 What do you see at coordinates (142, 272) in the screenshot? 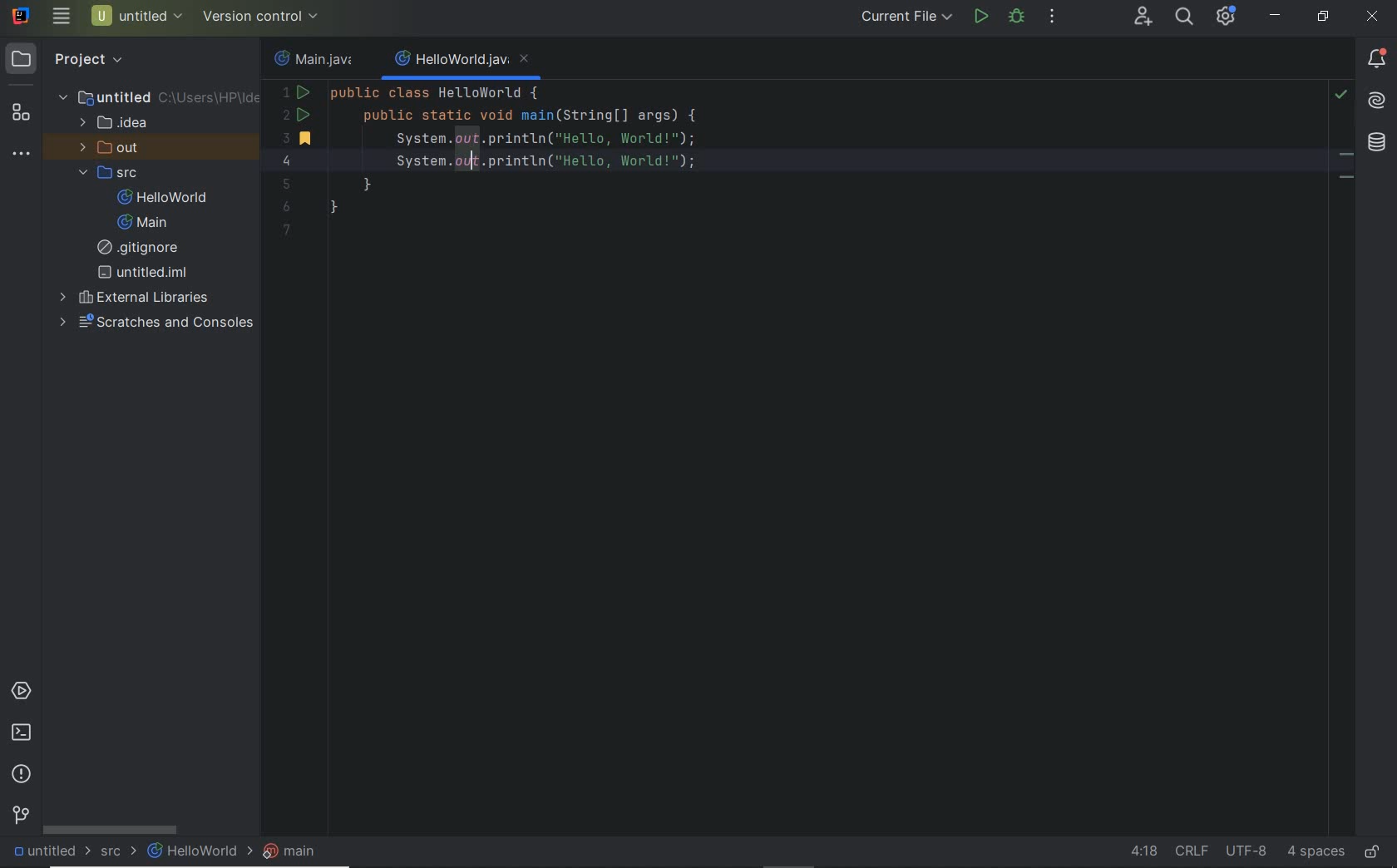
I see `untitled.iml` at bounding box center [142, 272].